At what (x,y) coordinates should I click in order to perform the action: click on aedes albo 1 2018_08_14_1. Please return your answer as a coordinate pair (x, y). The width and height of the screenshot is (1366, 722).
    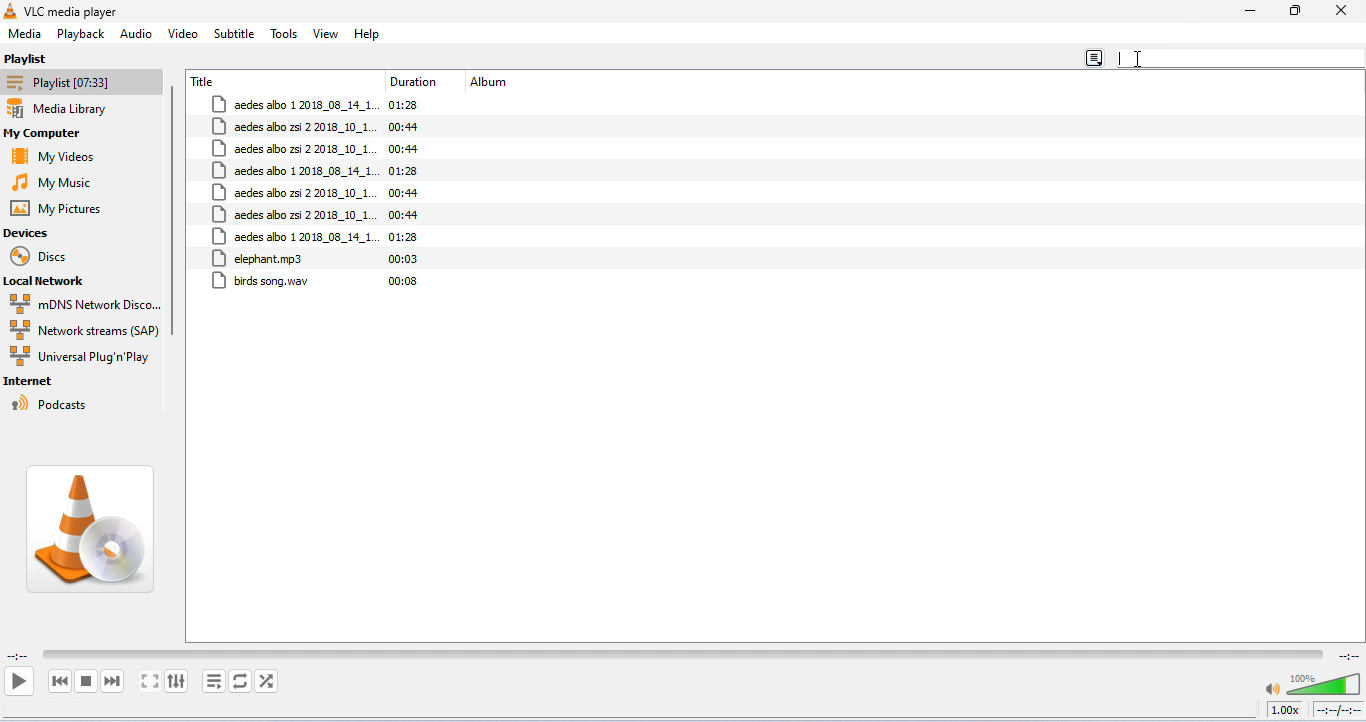
    Looking at the image, I should click on (296, 105).